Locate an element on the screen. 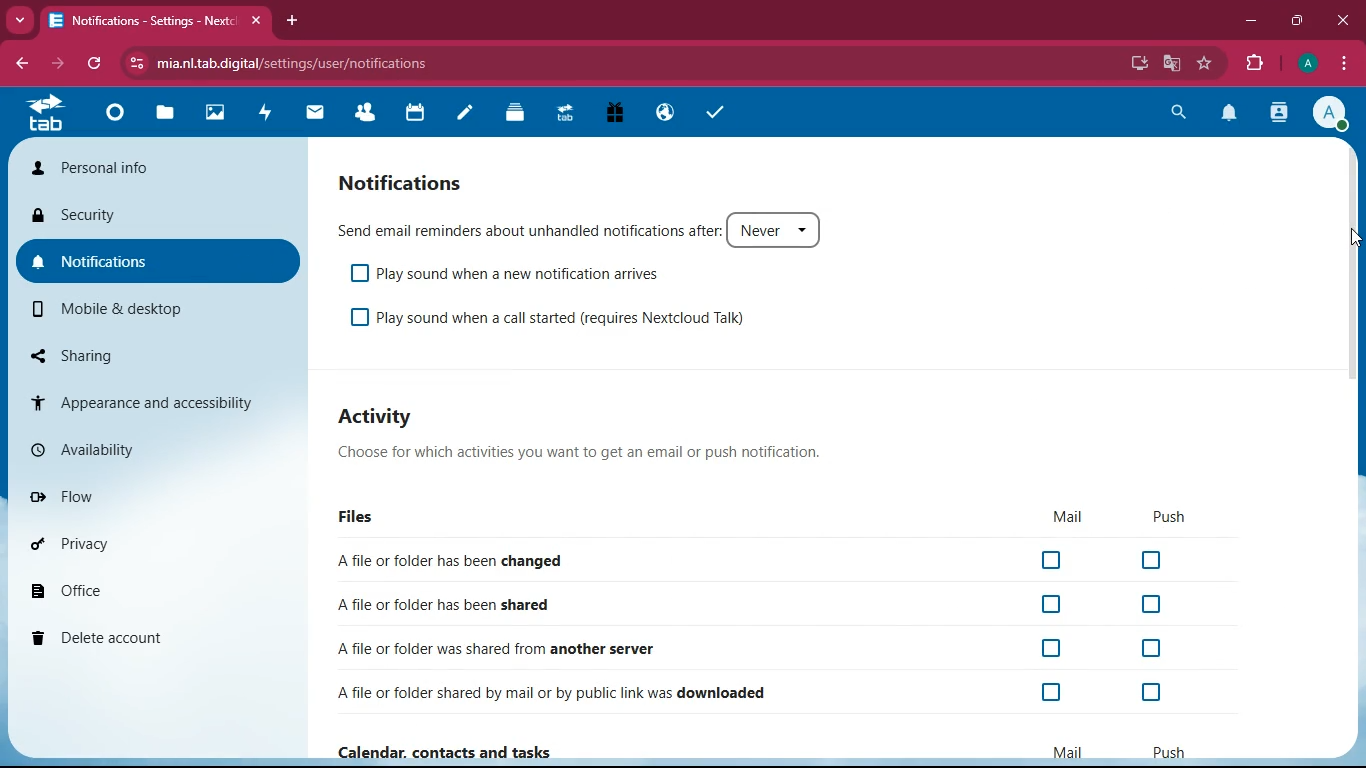 This screenshot has height=768, width=1366. privacy is located at coordinates (155, 539).